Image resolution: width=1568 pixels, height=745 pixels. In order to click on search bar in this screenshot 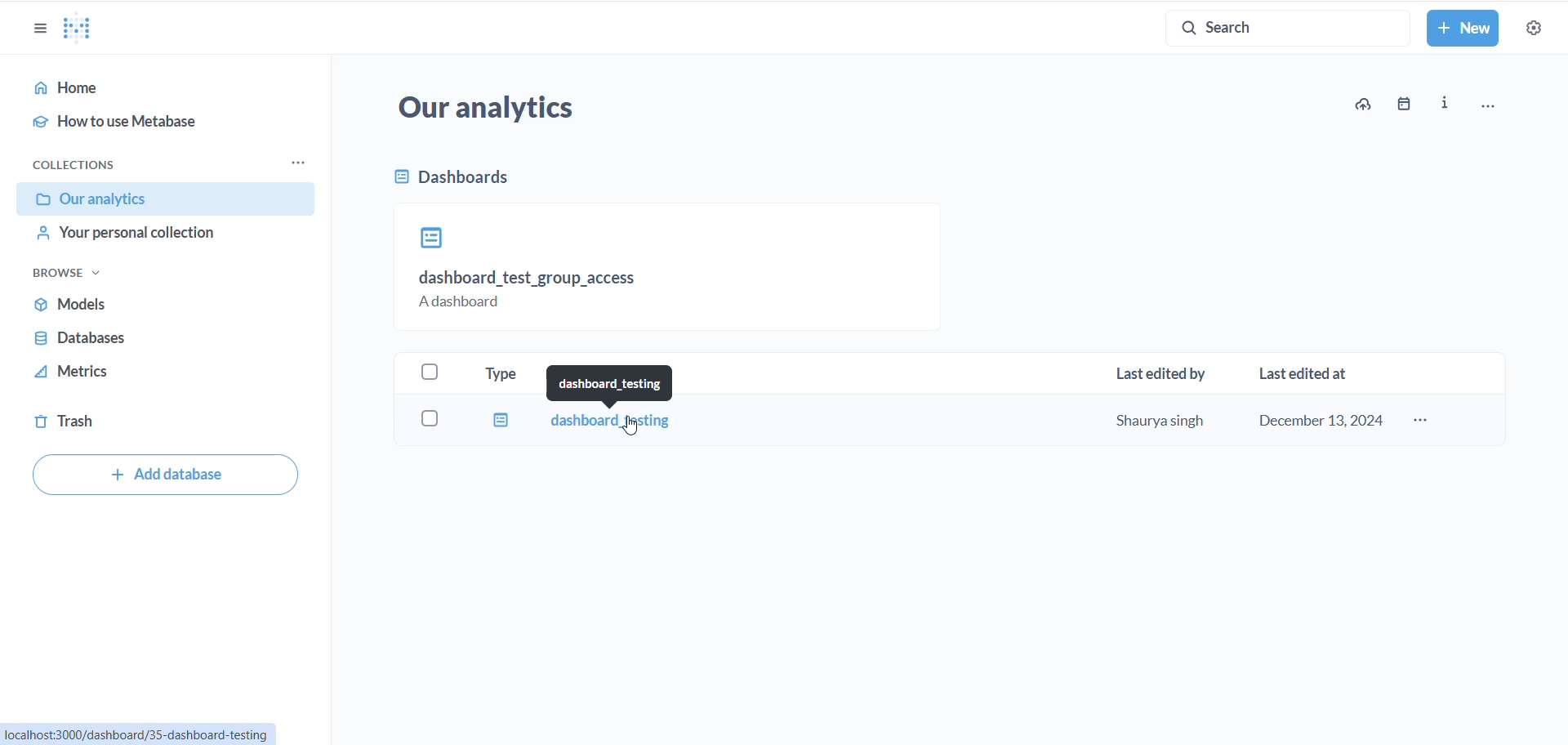, I will do `click(1277, 24)`.